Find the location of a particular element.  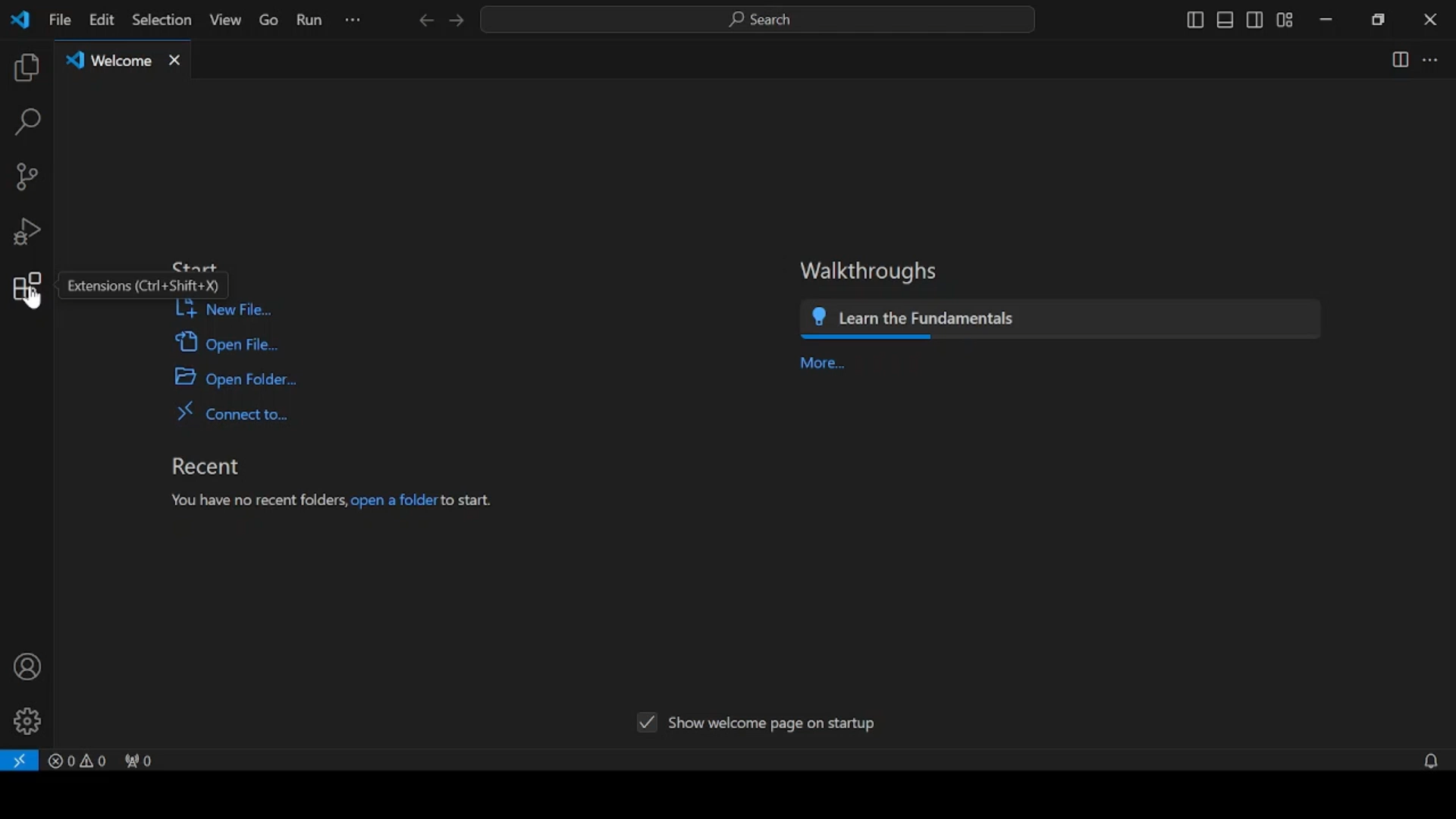

welcome tab is located at coordinates (123, 59).